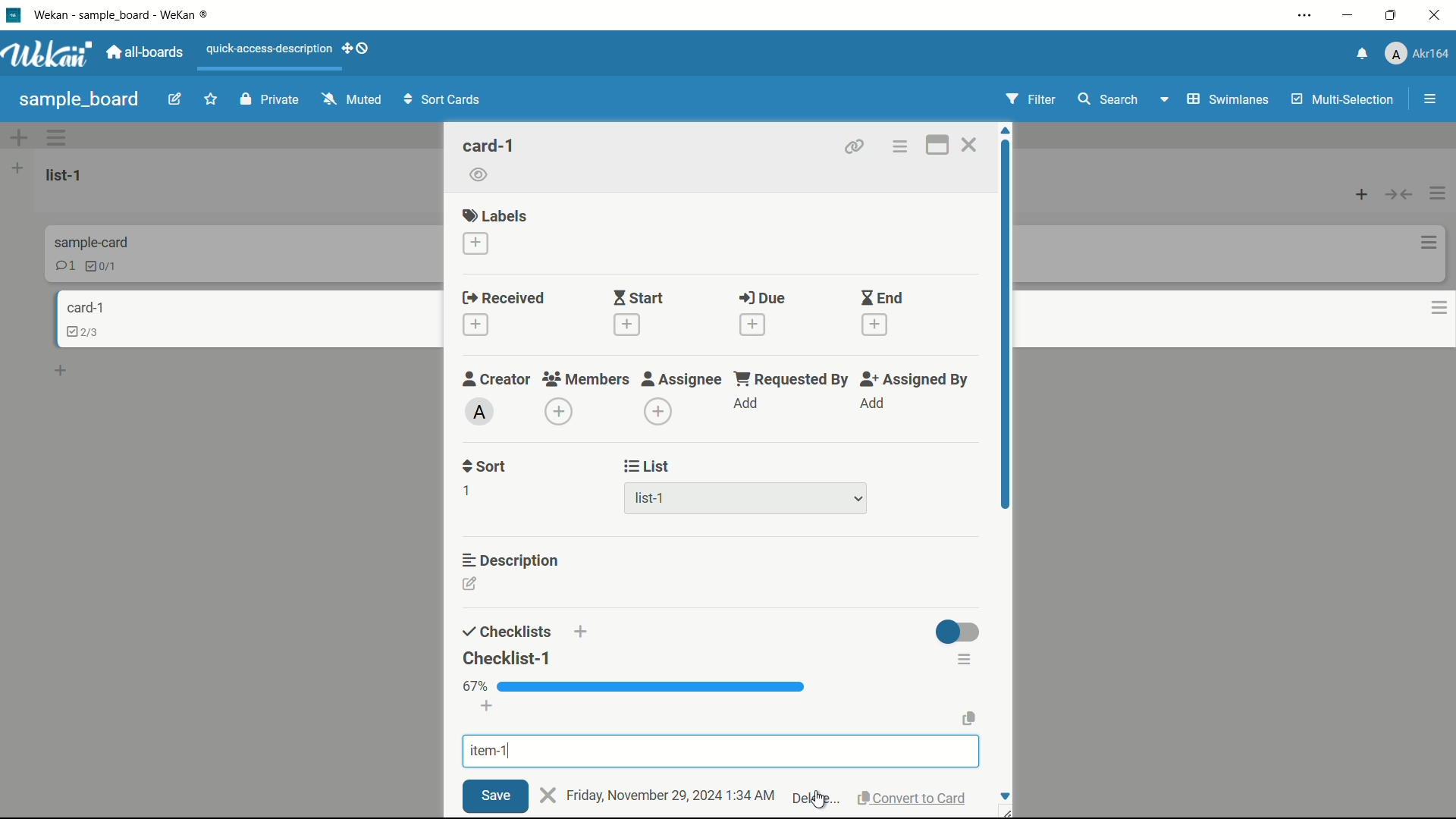  Describe the element at coordinates (965, 658) in the screenshot. I see `checklist actions` at that location.